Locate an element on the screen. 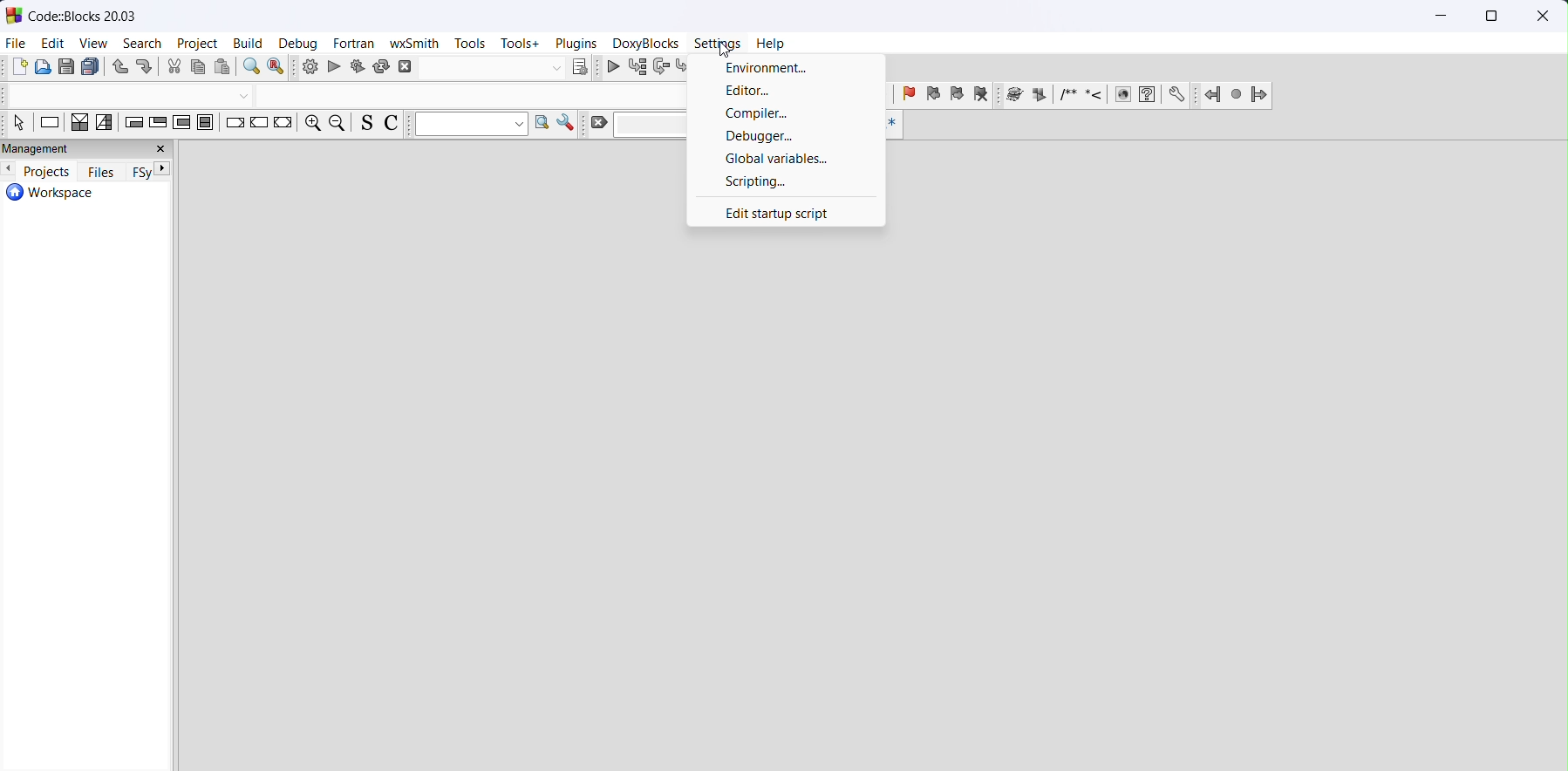  tools+ is located at coordinates (522, 44).